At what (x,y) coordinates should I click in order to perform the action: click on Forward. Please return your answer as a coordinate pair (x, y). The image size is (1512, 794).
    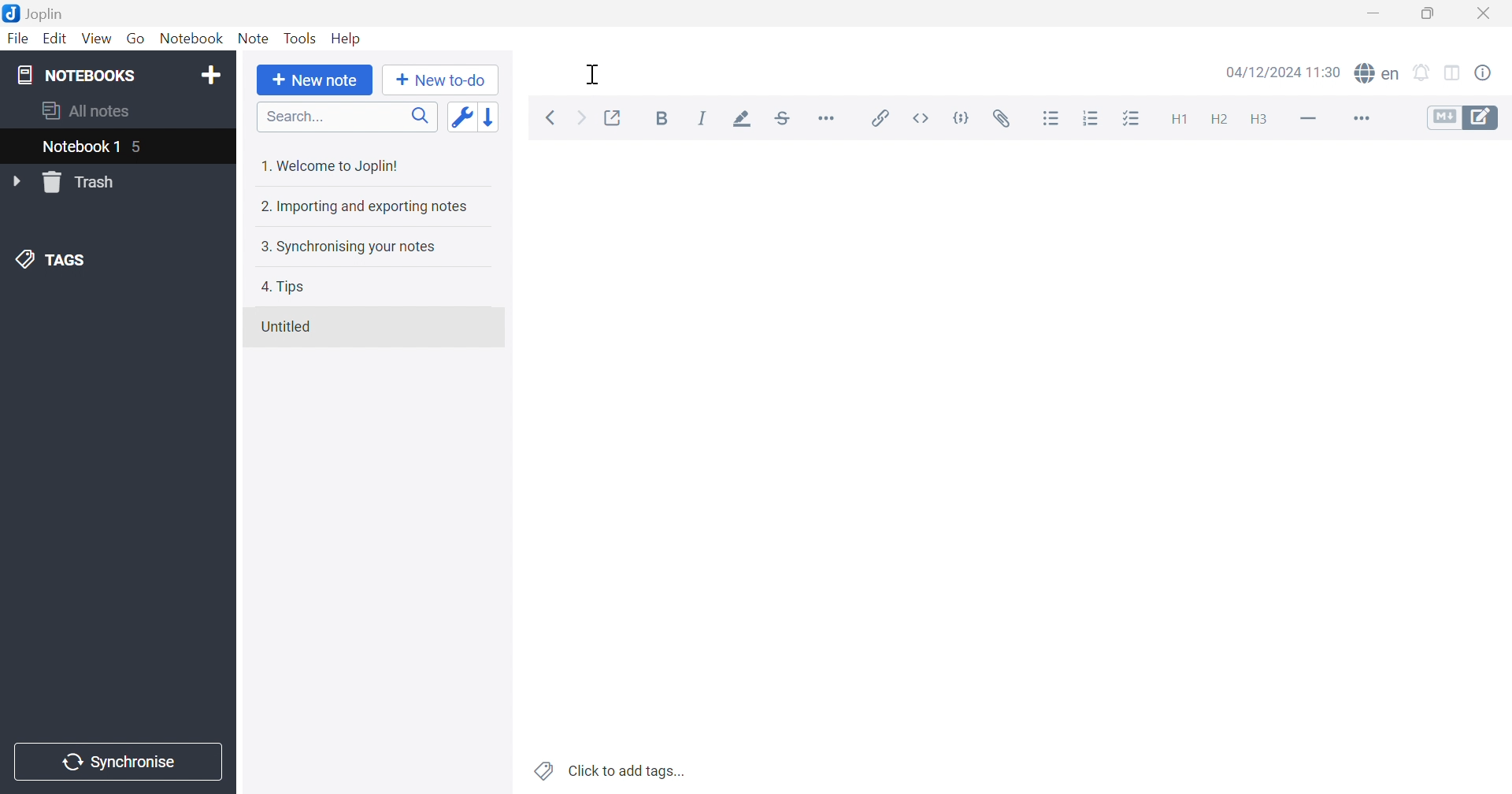
    Looking at the image, I should click on (580, 117).